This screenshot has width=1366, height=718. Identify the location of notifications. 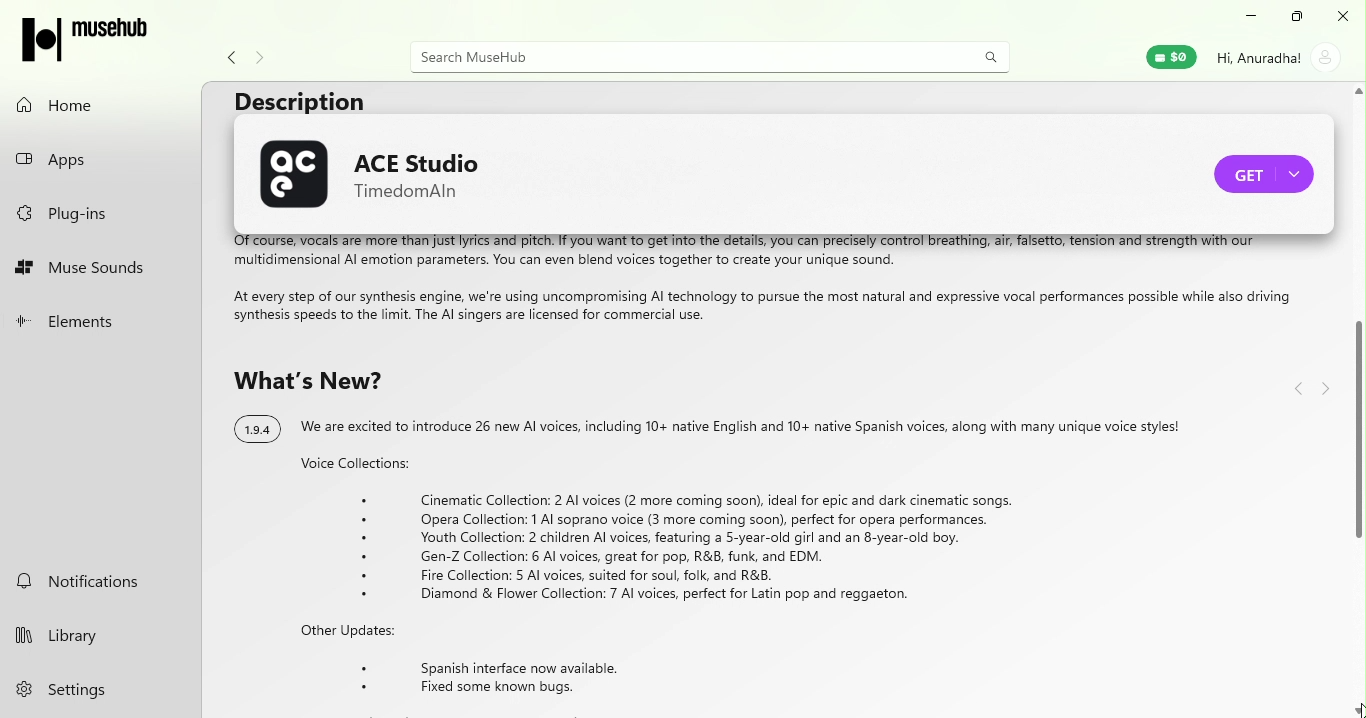
(98, 582).